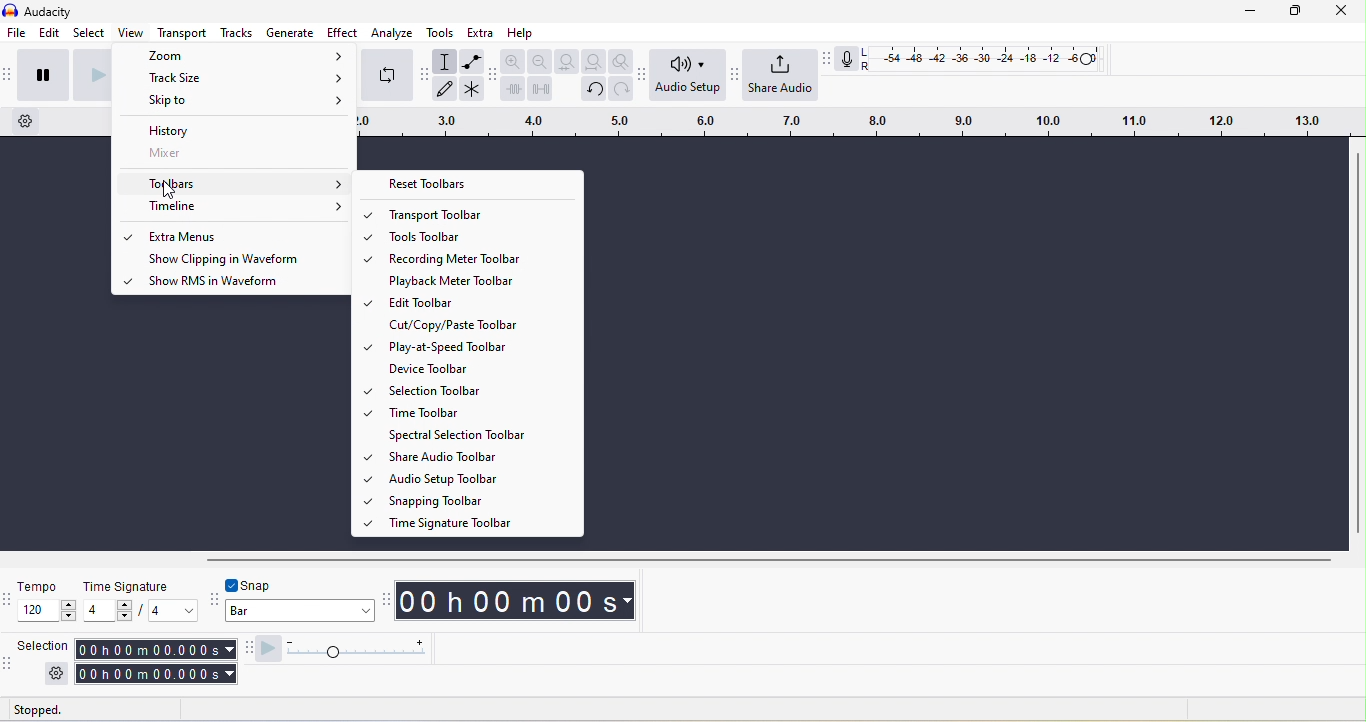 This screenshot has height=722, width=1366. Describe the element at coordinates (89, 32) in the screenshot. I see `select` at that location.